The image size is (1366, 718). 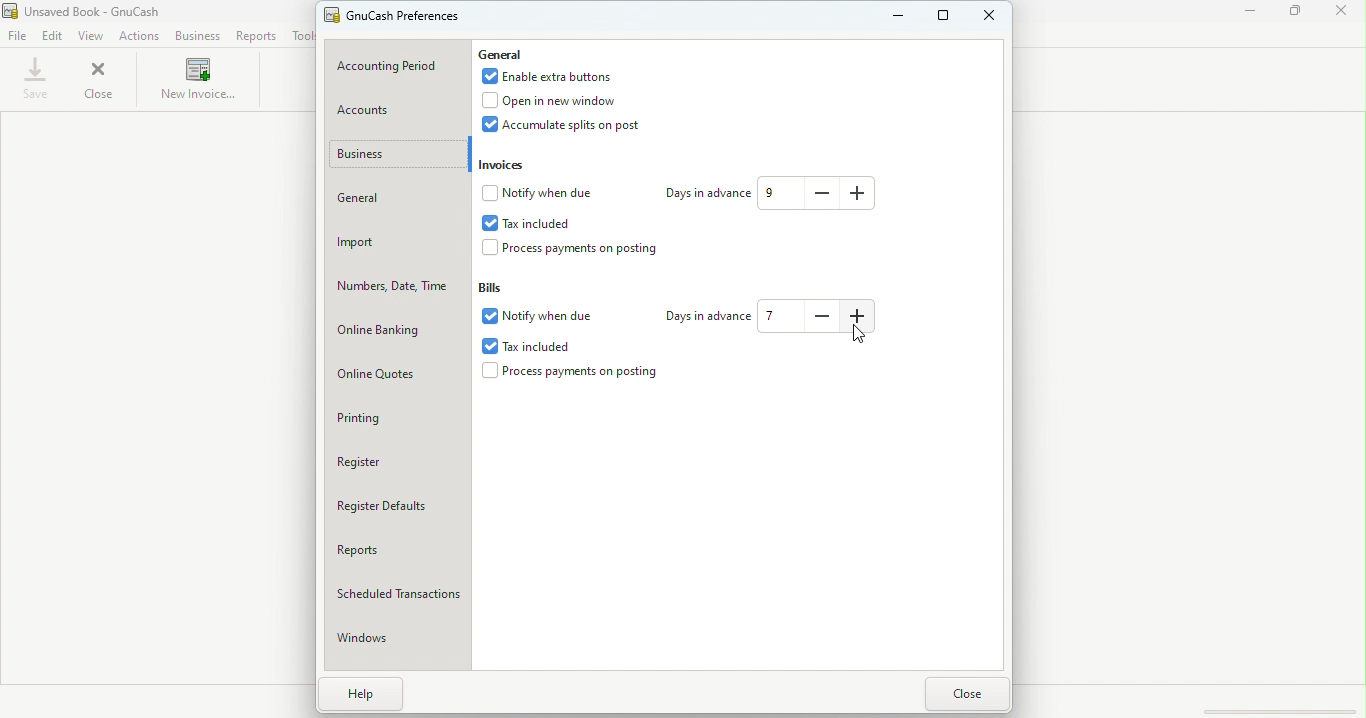 What do you see at coordinates (575, 125) in the screenshot?
I see `Accumulate splits on posts` at bounding box center [575, 125].